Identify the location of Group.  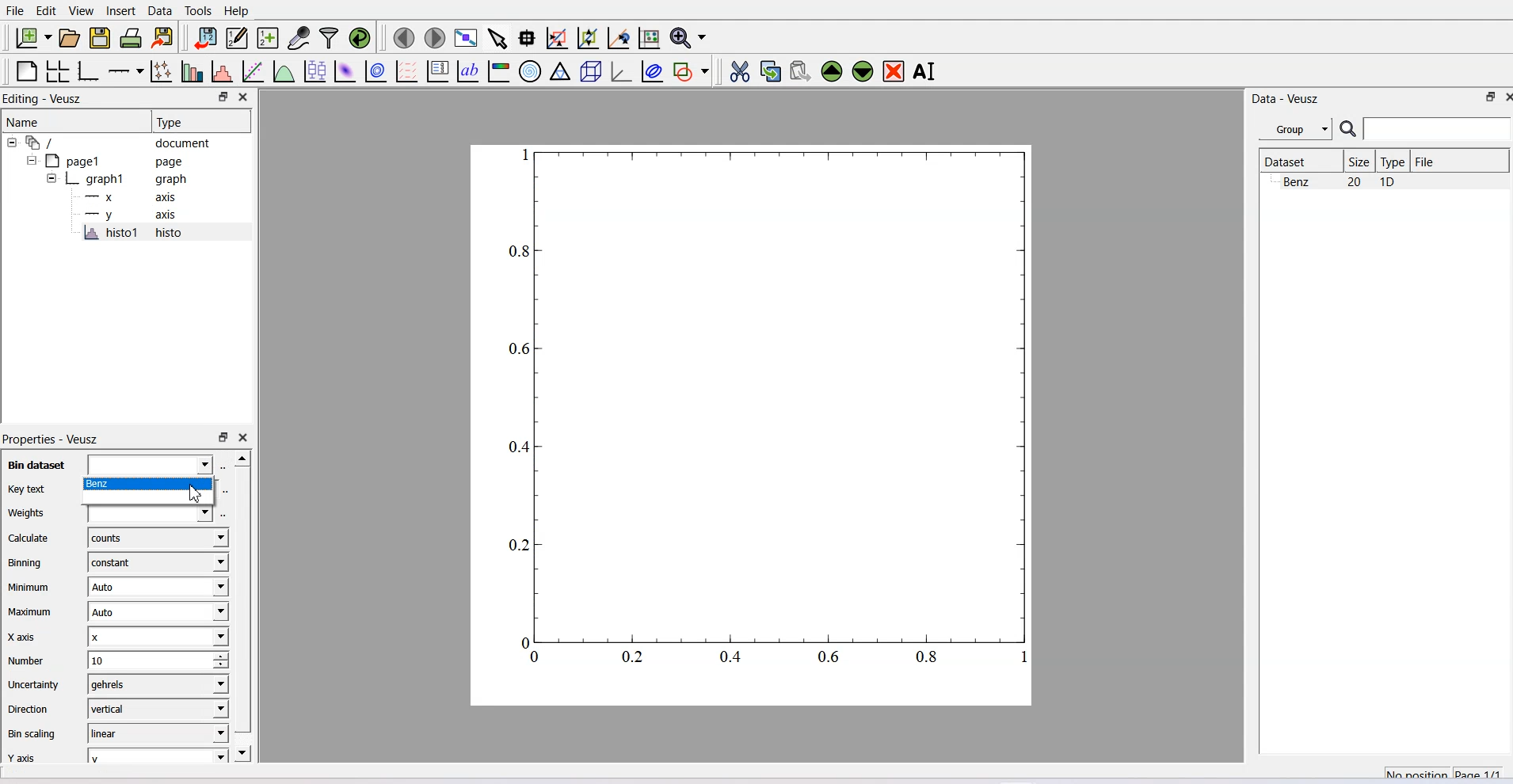
(1295, 127).